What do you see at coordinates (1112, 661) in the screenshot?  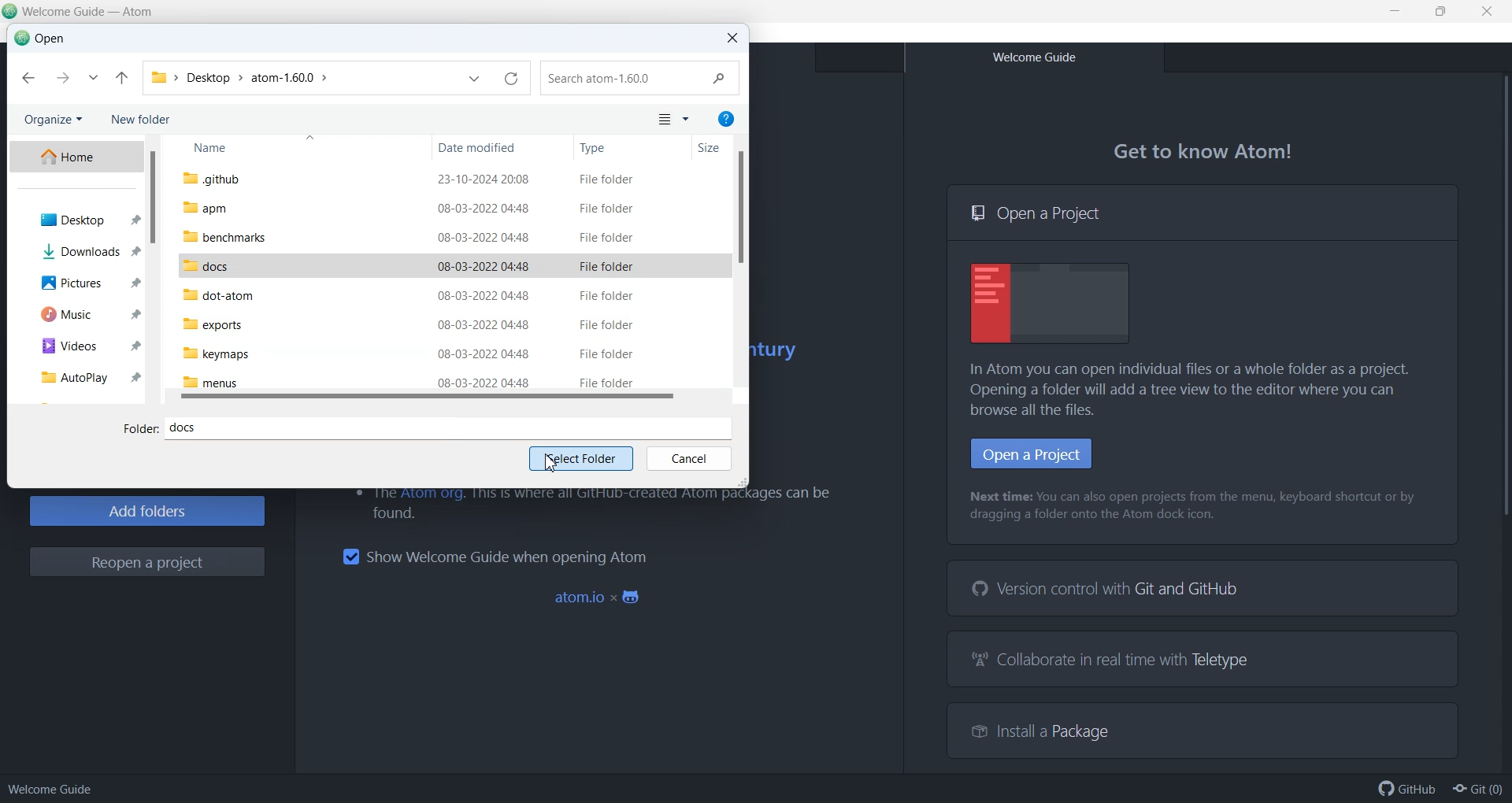 I see `Collaborate in real time with Teletype` at bounding box center [1112, 661].